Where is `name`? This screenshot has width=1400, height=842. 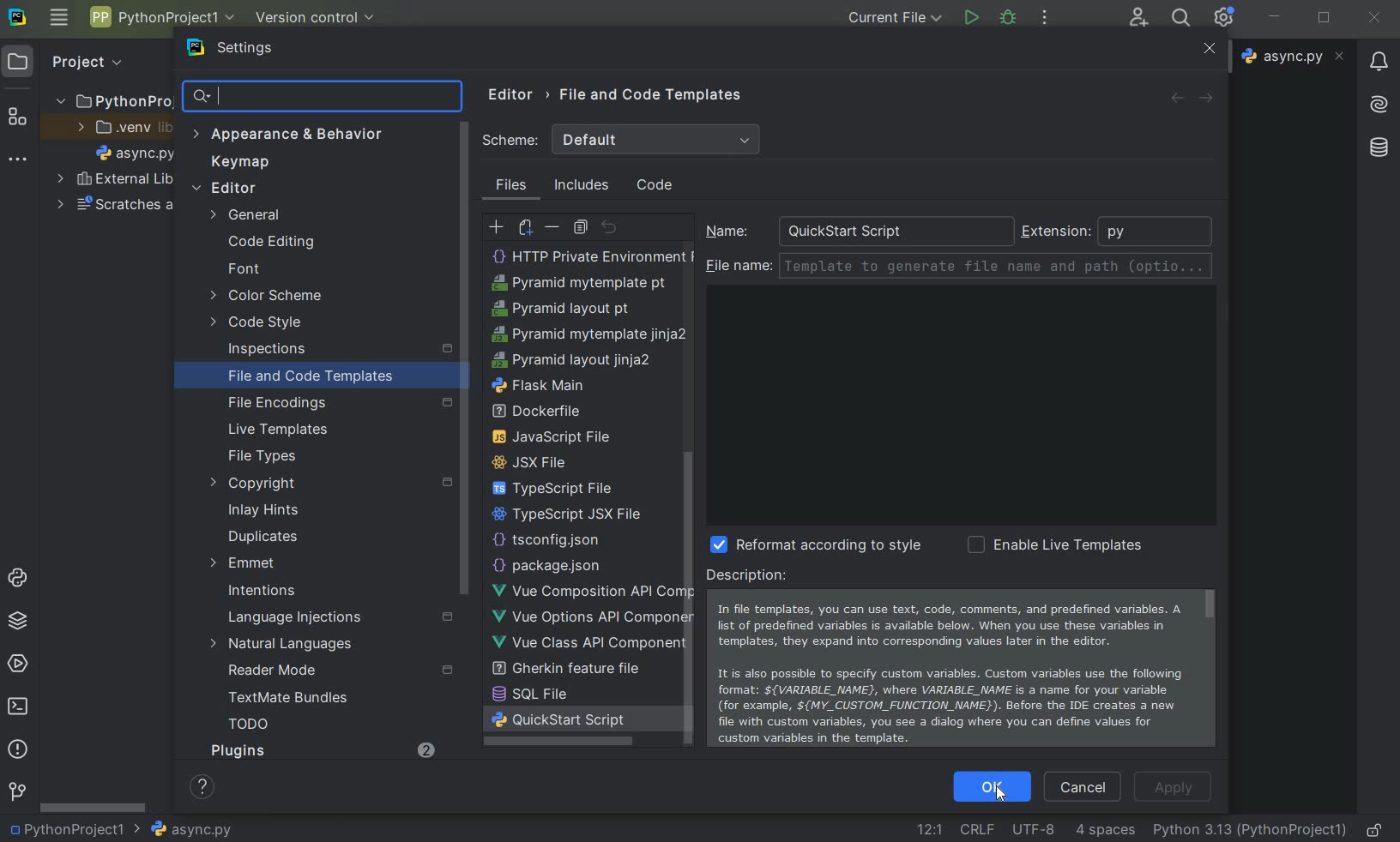
name is located at coordinates (730, 232).